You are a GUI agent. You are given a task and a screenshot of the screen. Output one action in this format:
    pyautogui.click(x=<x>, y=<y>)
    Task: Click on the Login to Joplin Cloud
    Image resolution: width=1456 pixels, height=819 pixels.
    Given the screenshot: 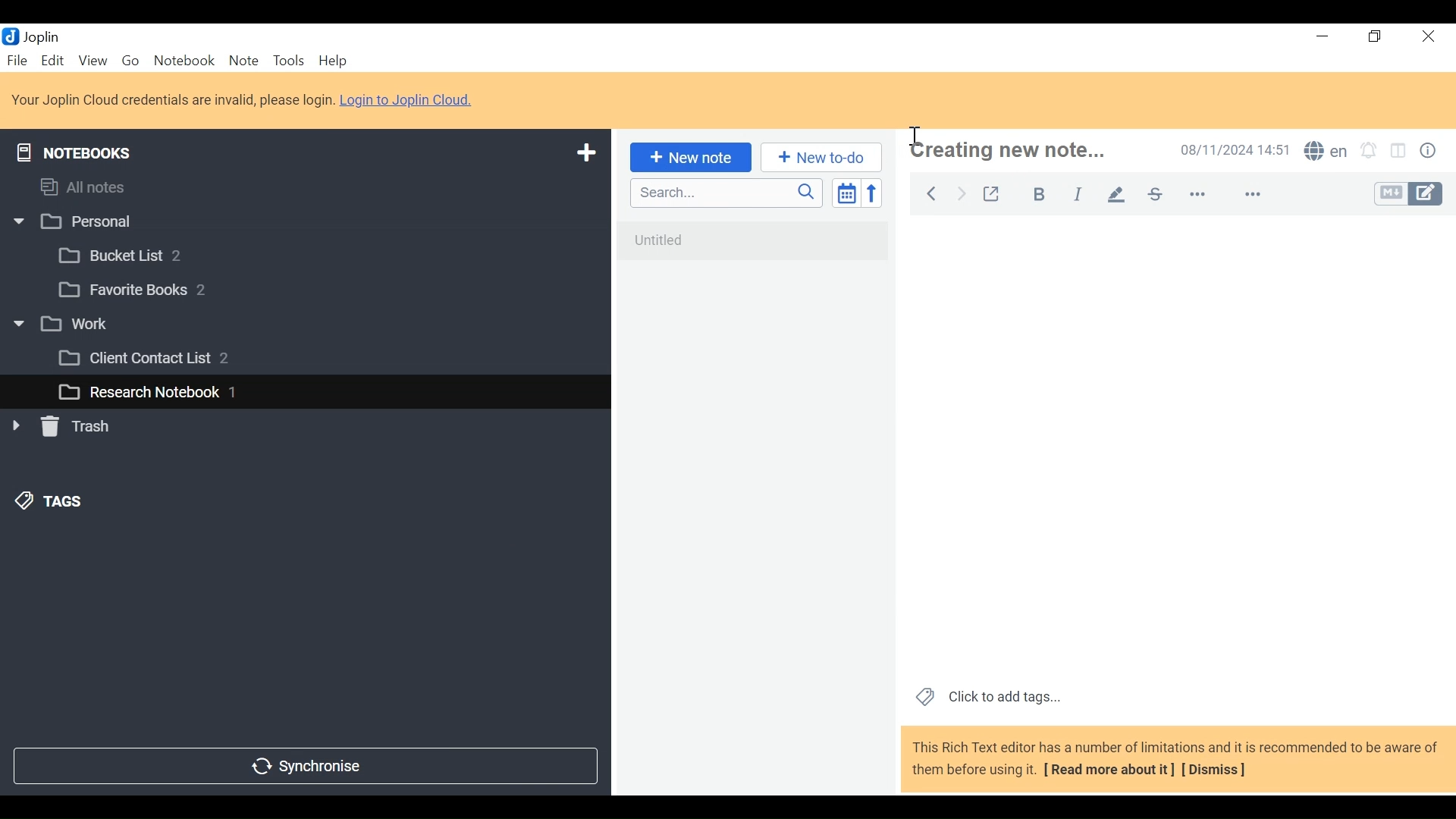 What is the action you would take?
    pyautogui.click(x=172, y=100)
    